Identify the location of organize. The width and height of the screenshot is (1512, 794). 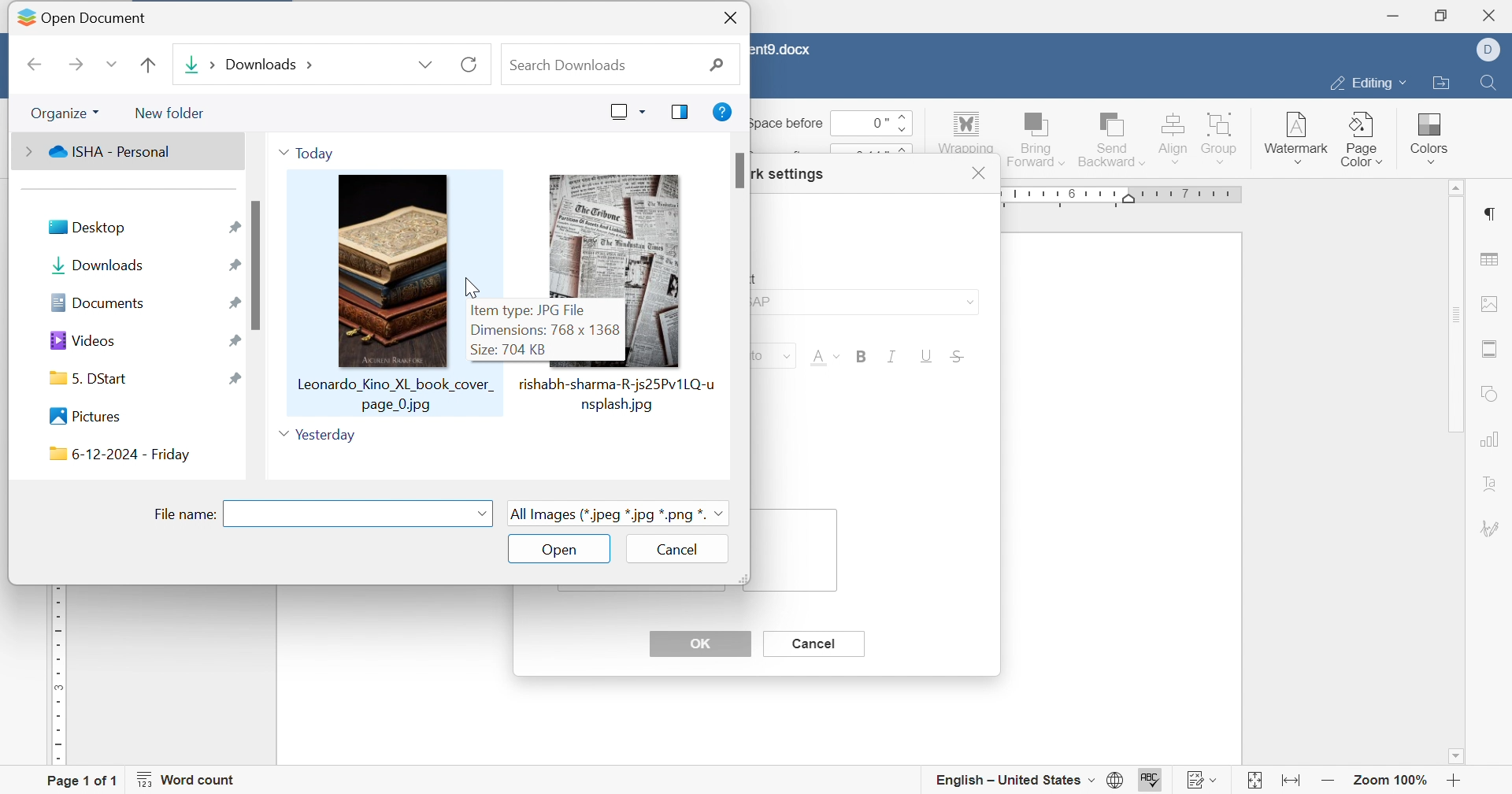
(65, 113).